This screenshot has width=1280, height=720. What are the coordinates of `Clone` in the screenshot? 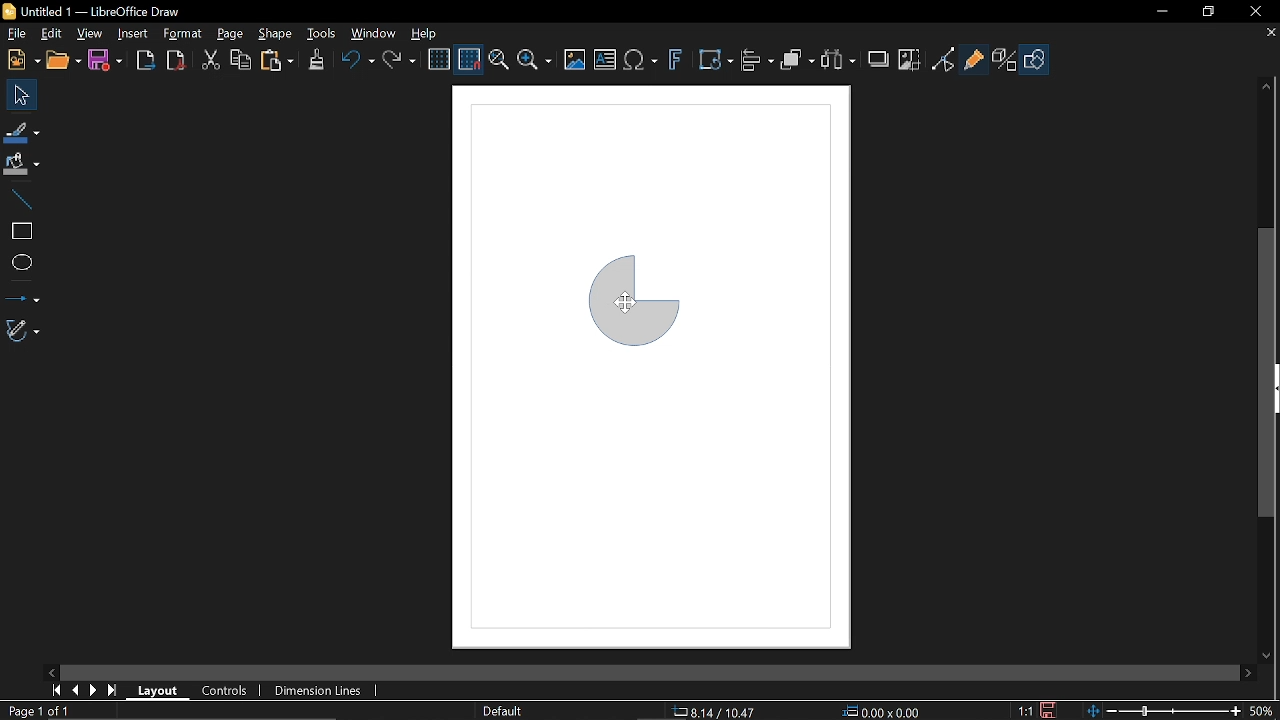 It's located at (316, 61).